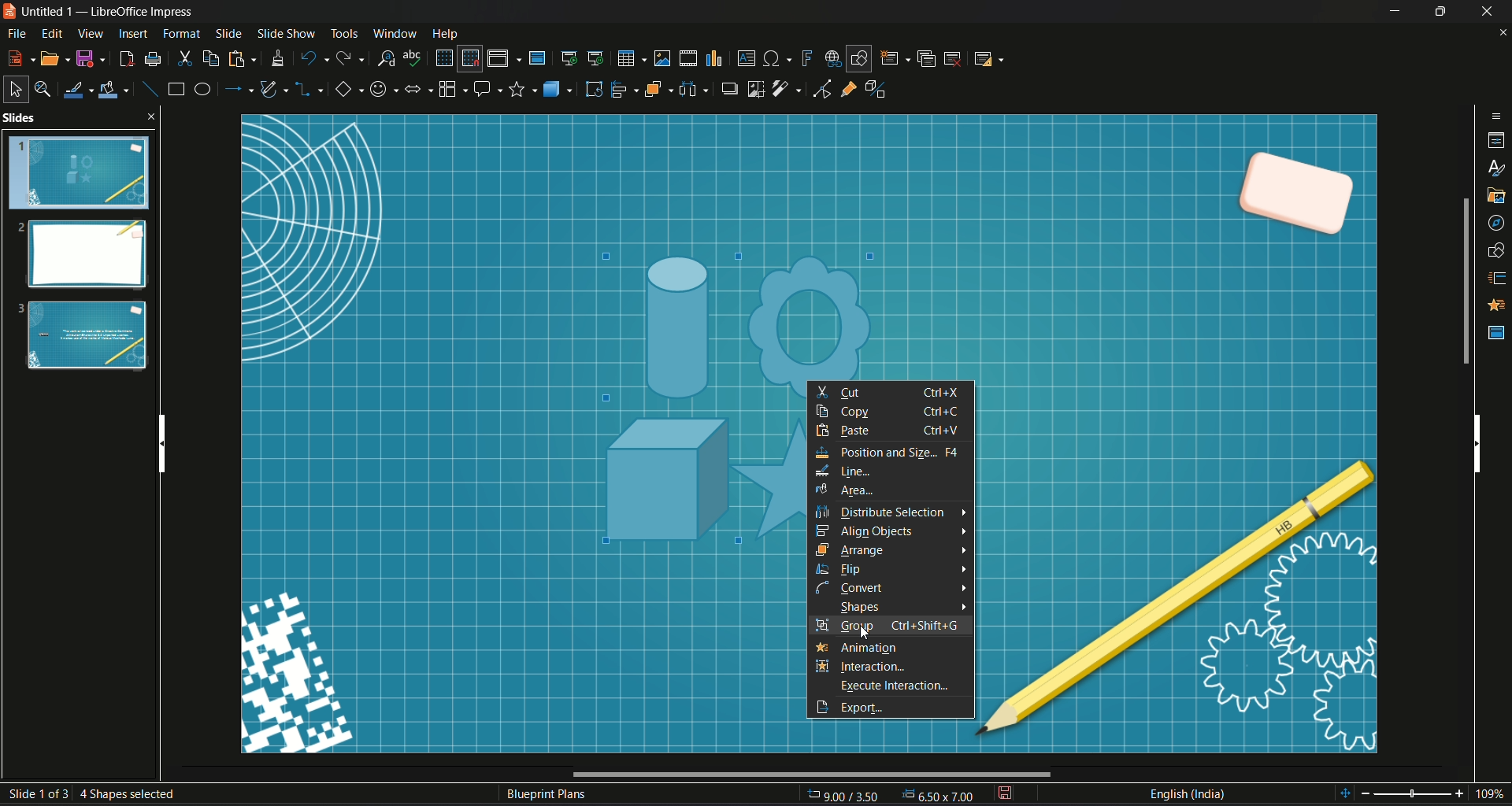  I want to click on Edit, so click(53, 34).